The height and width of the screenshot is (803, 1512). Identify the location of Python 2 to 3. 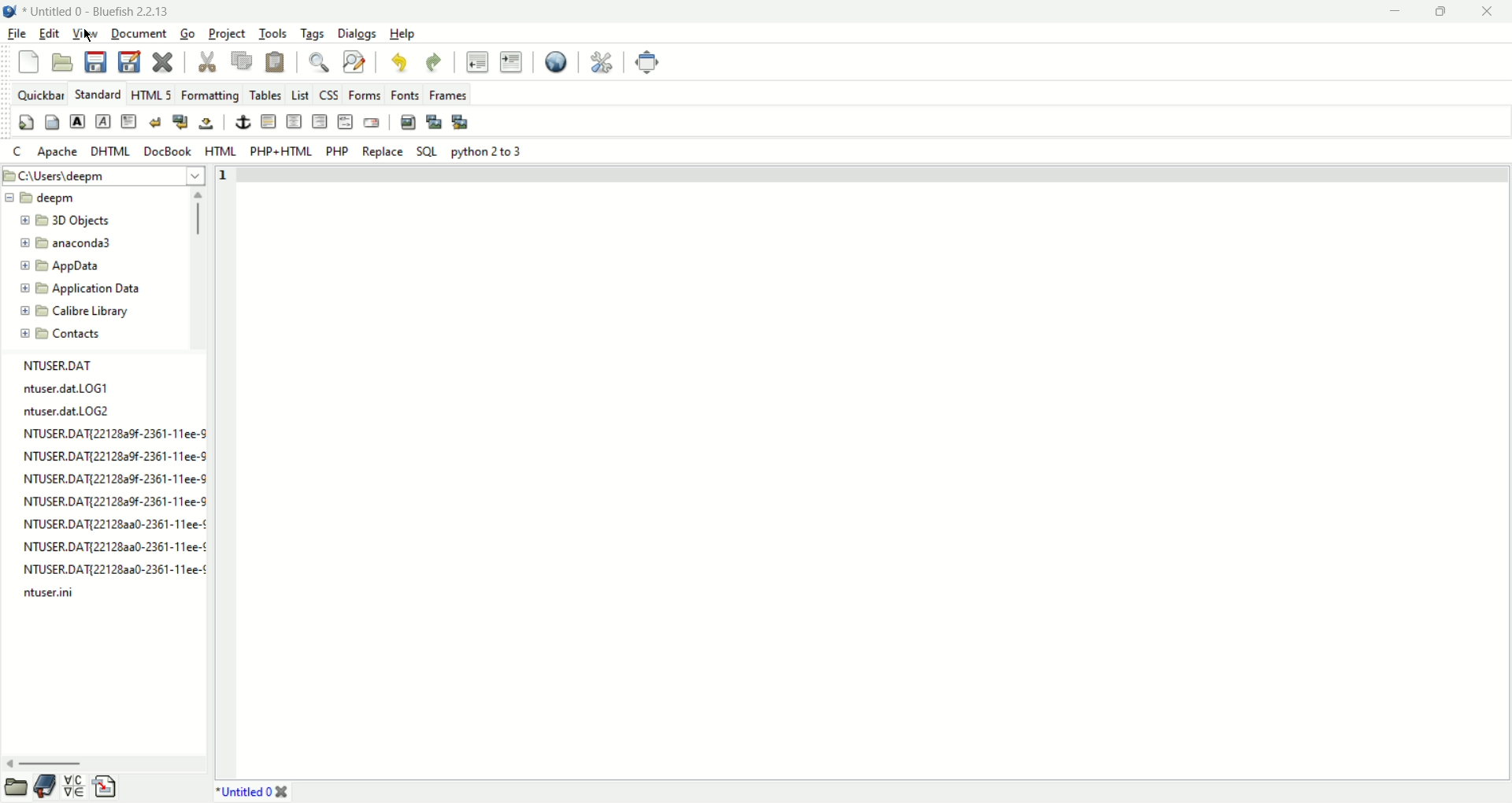
(487, 150).